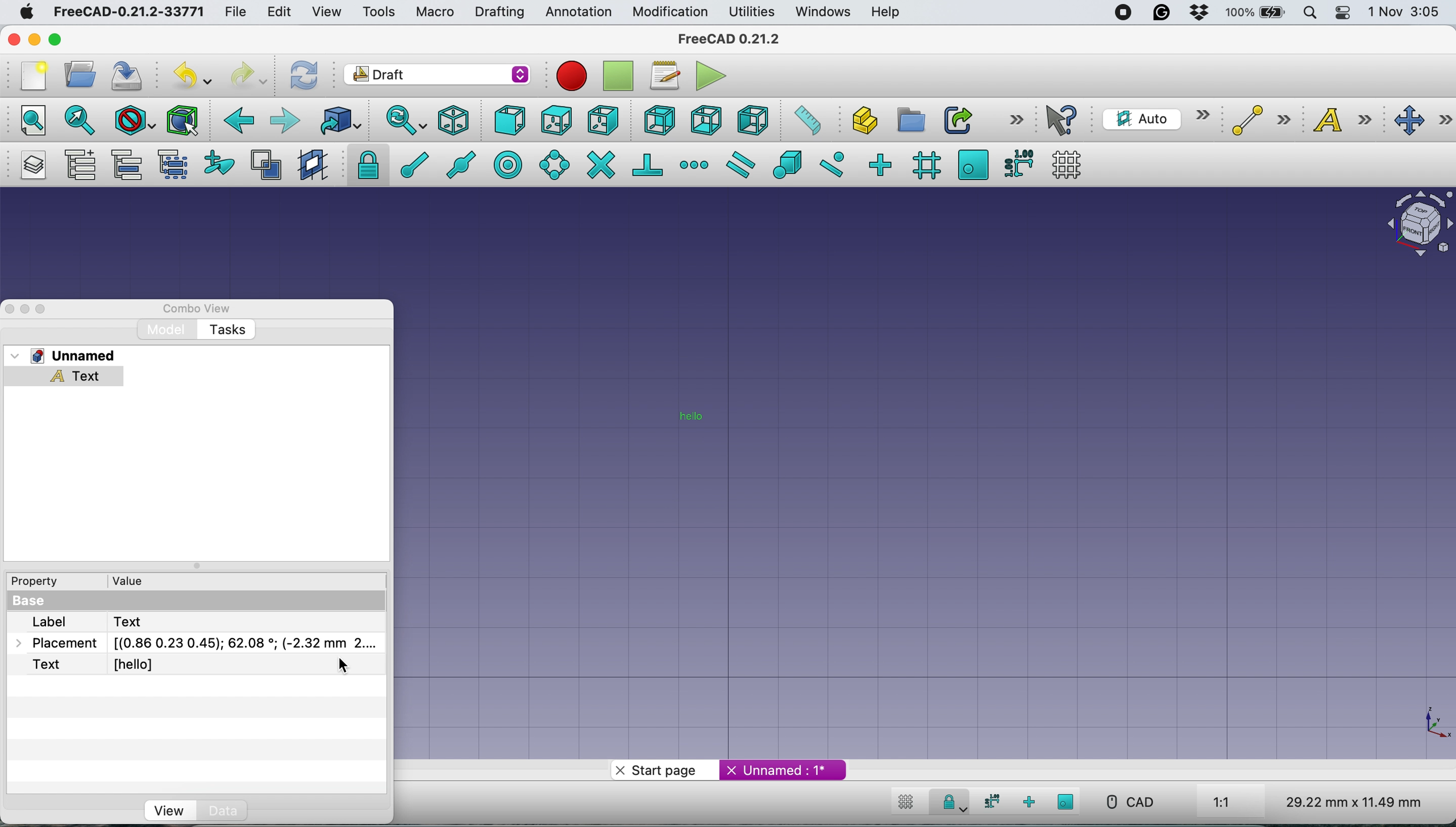 The width and height of the screenshot is (1456, 827). Describe the element at coordinates (751, 13) in the screenshot. I see `utilities` at that location.